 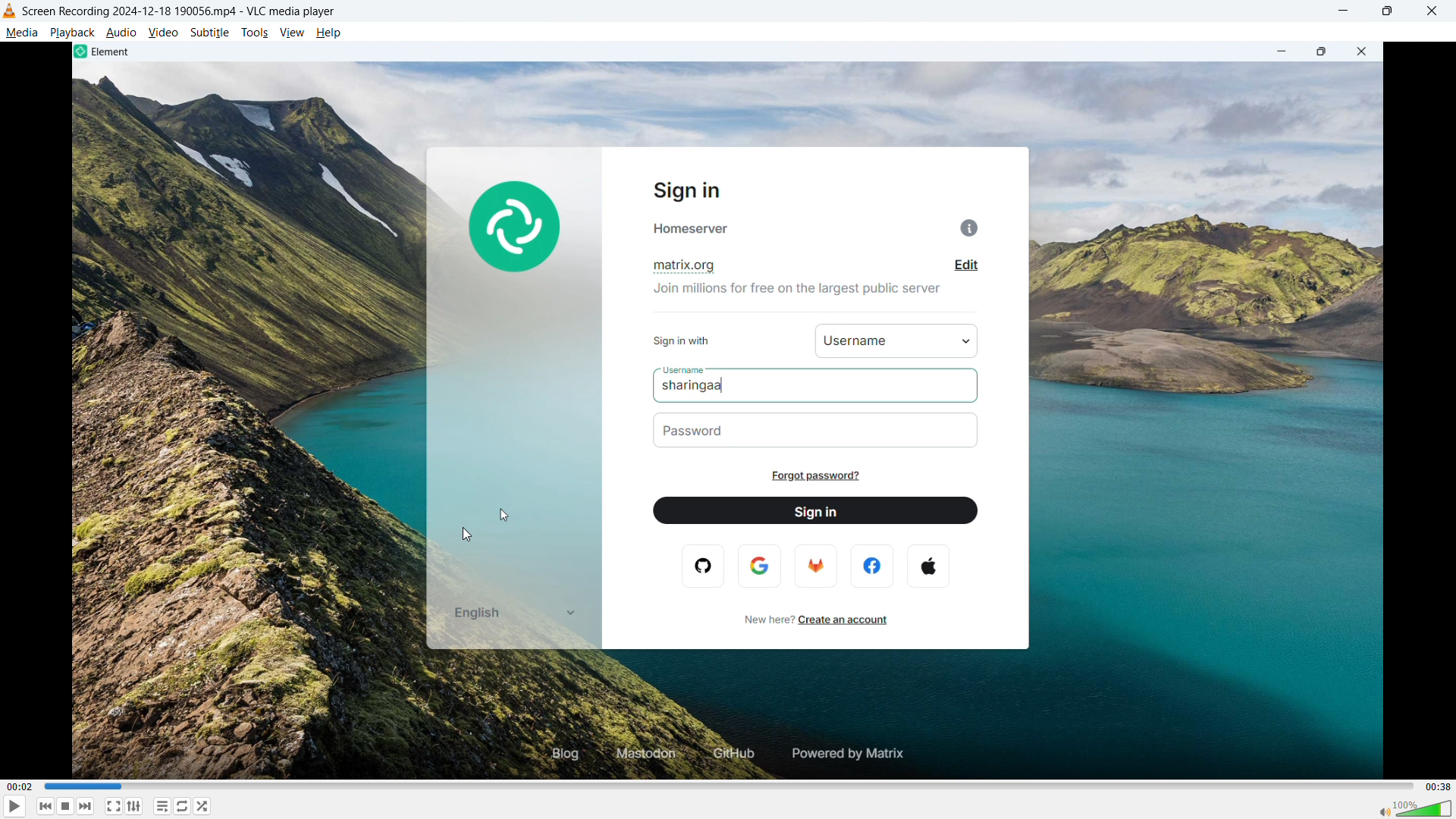 I want to click on Join millions for free on the largest public server, so click(x=795, y=288).